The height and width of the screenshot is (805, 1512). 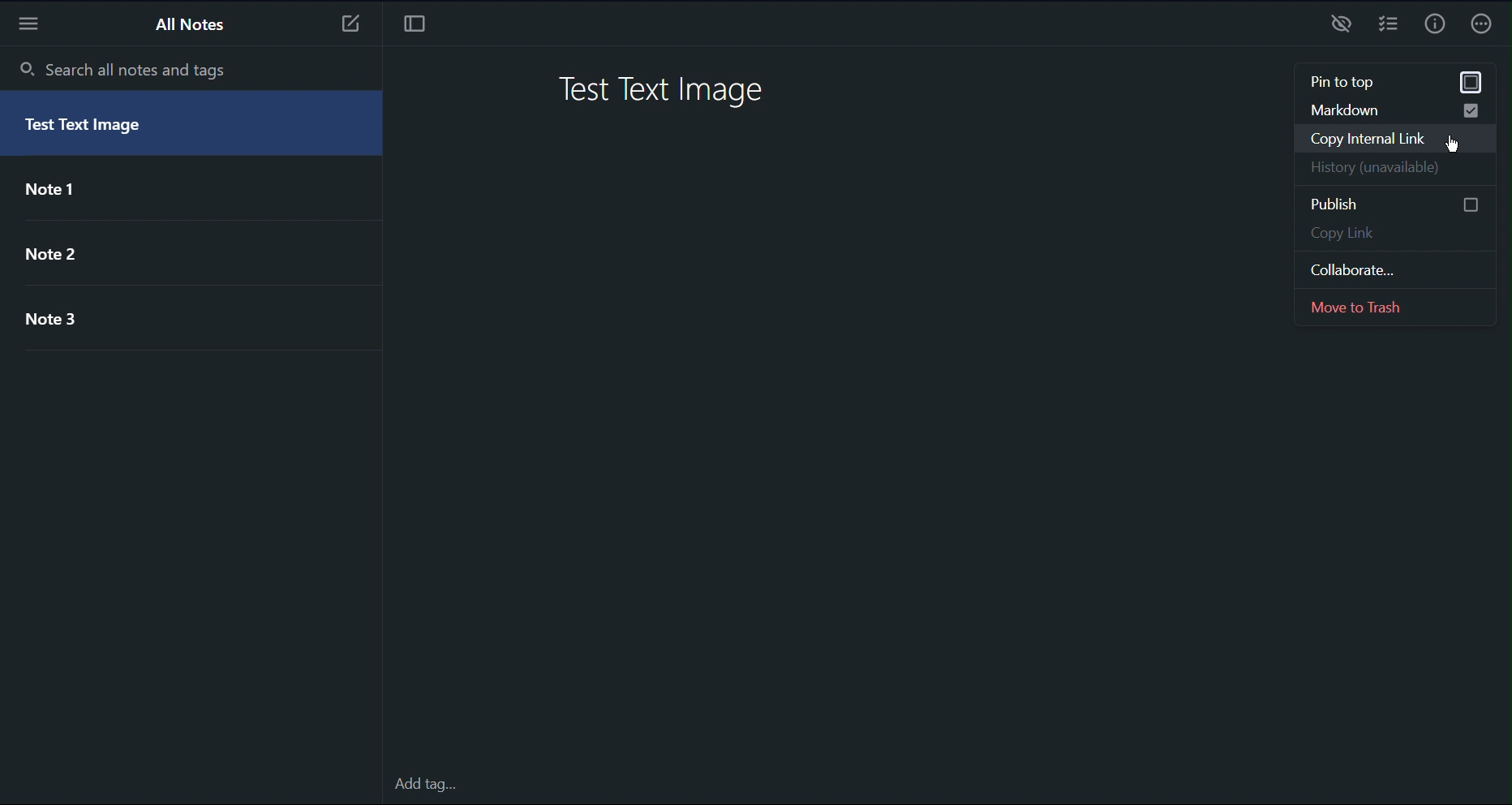 What do you see at coordinates (1390, 110) in the screenshot?
I see `Markdown` at bounding box center [1390, 110].